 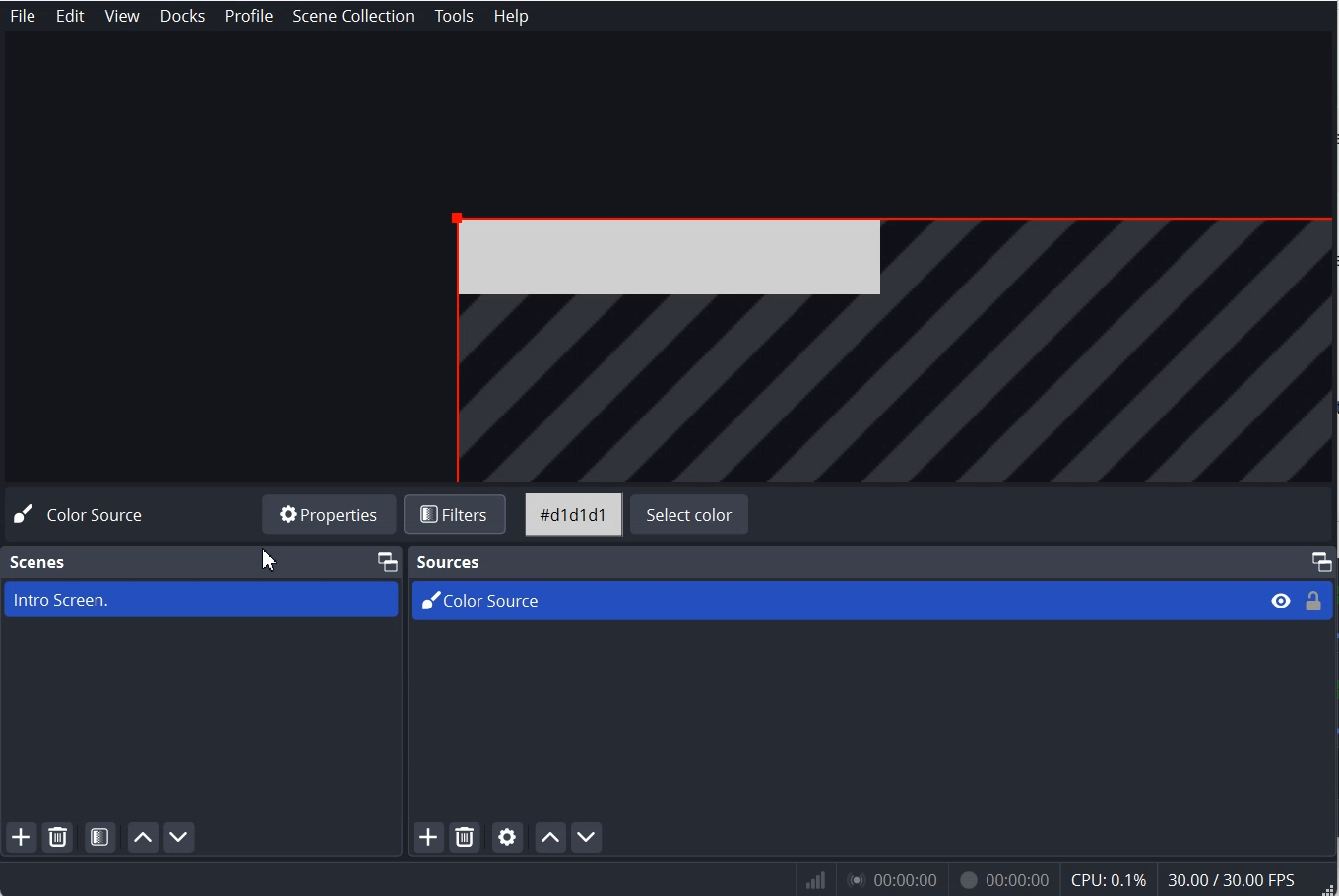 I want to click on CPU, so click(x=1110, y=880).